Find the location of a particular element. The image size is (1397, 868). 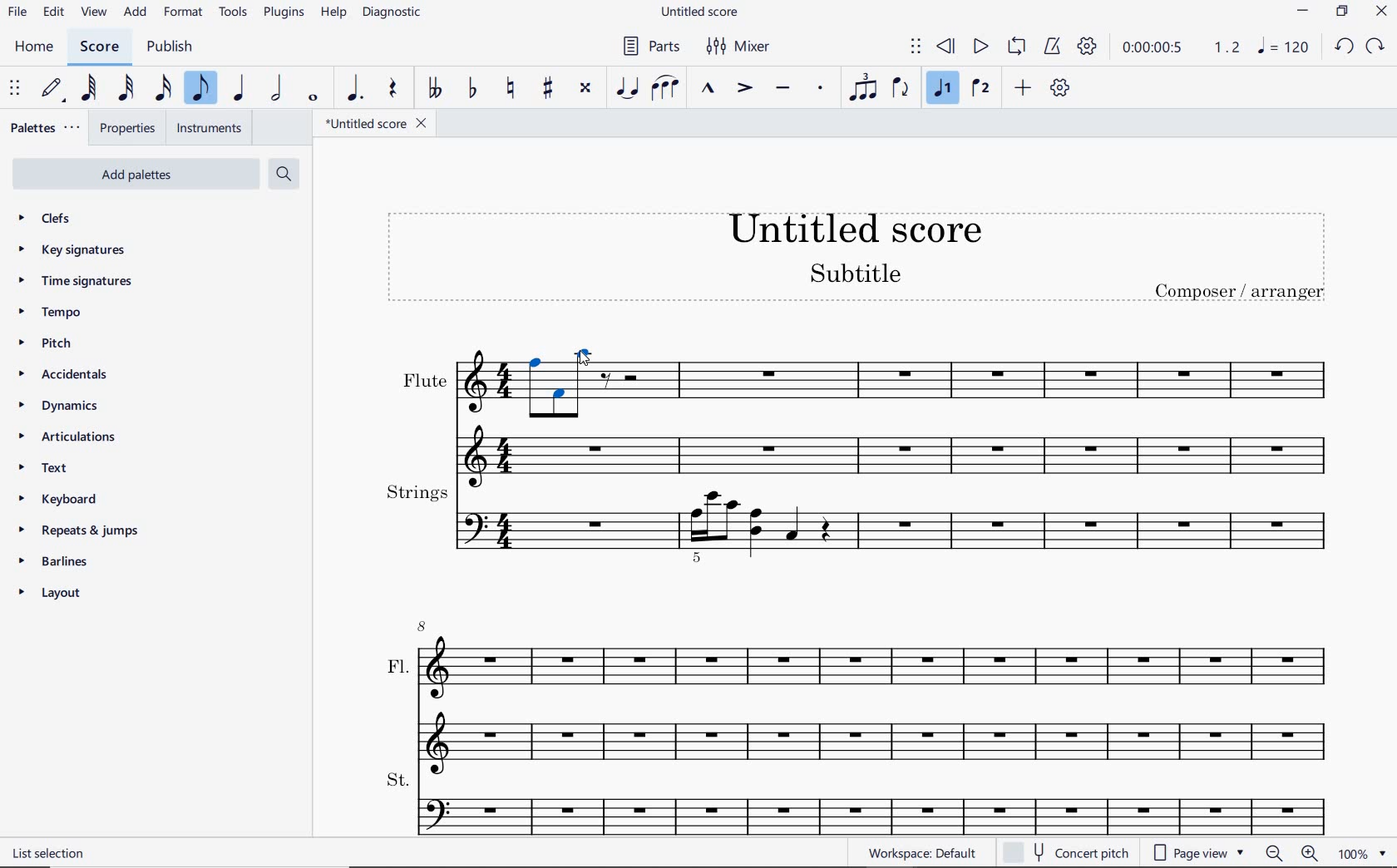

TOGGLE SHARP is located at coordinates (548, 87).